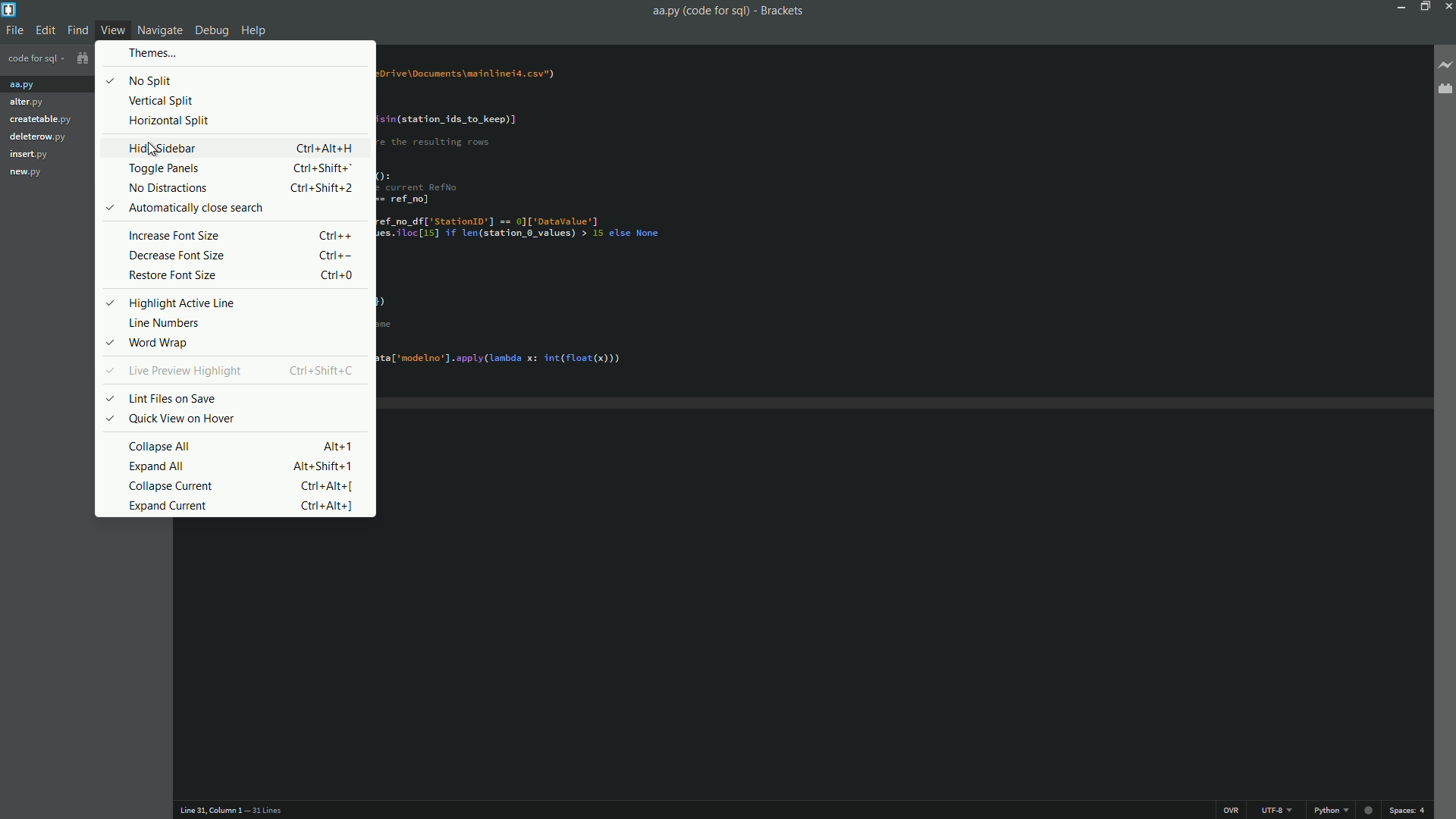  Describe the element at coordinates (174, 488) in the screenshot. I see `collapse current button` at that location.